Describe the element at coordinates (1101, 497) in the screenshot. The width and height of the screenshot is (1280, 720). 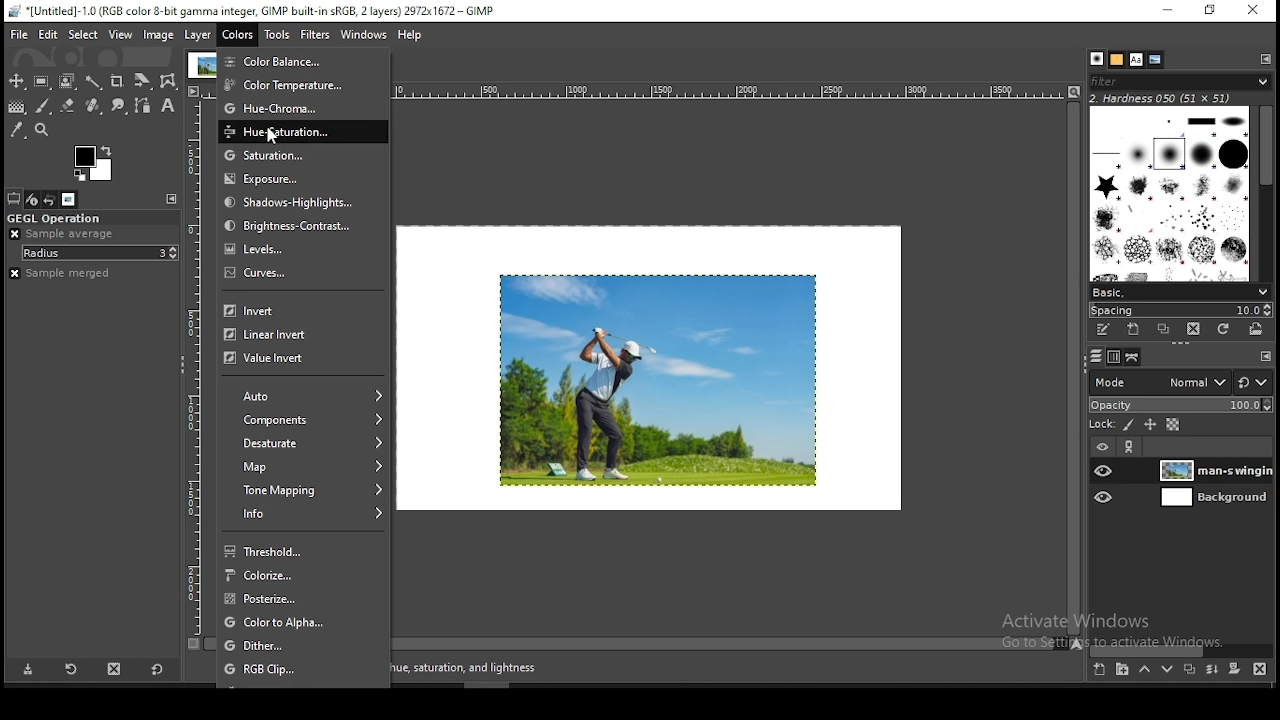
I see `layer visibility on/off` at that location.